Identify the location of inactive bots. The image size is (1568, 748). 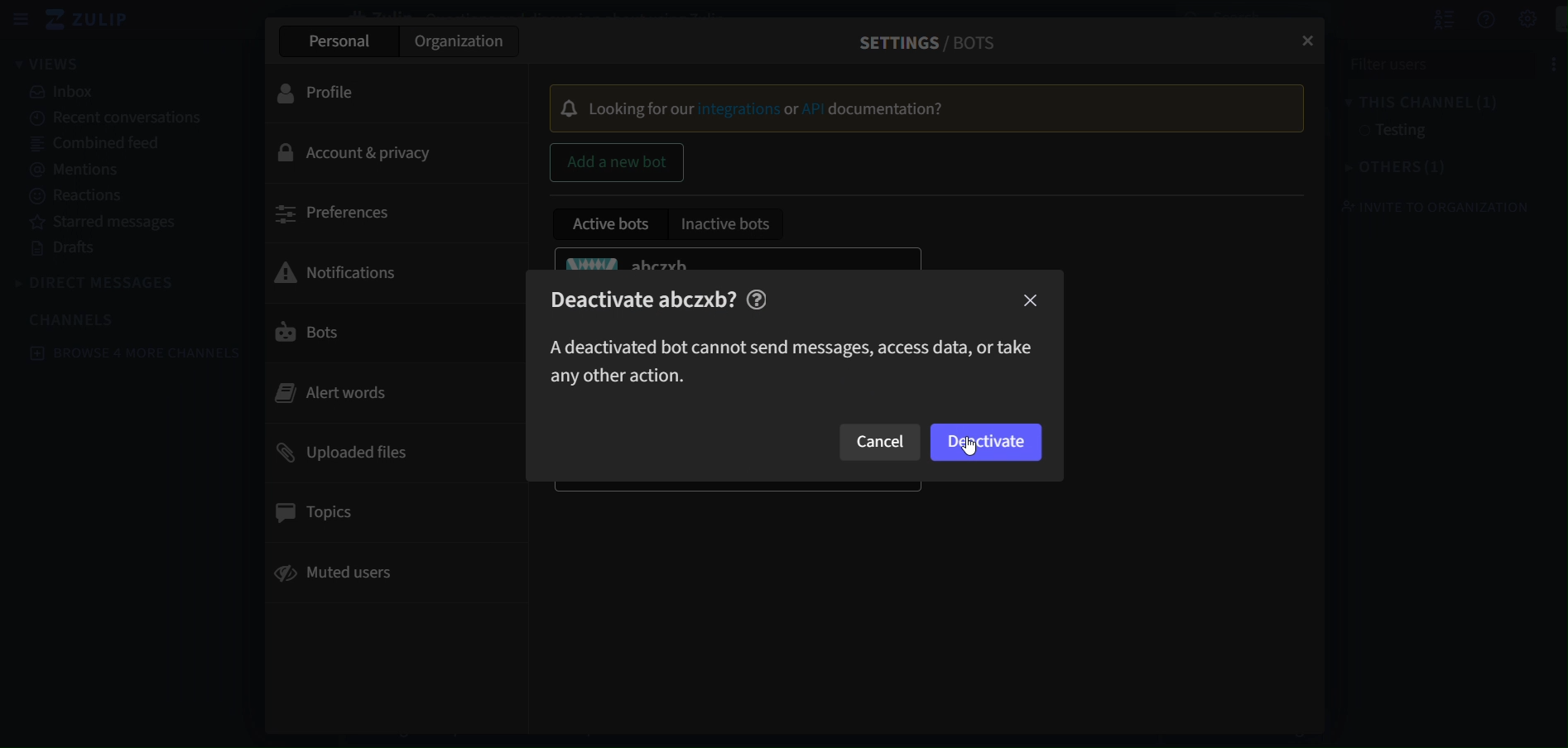
(729, 225).